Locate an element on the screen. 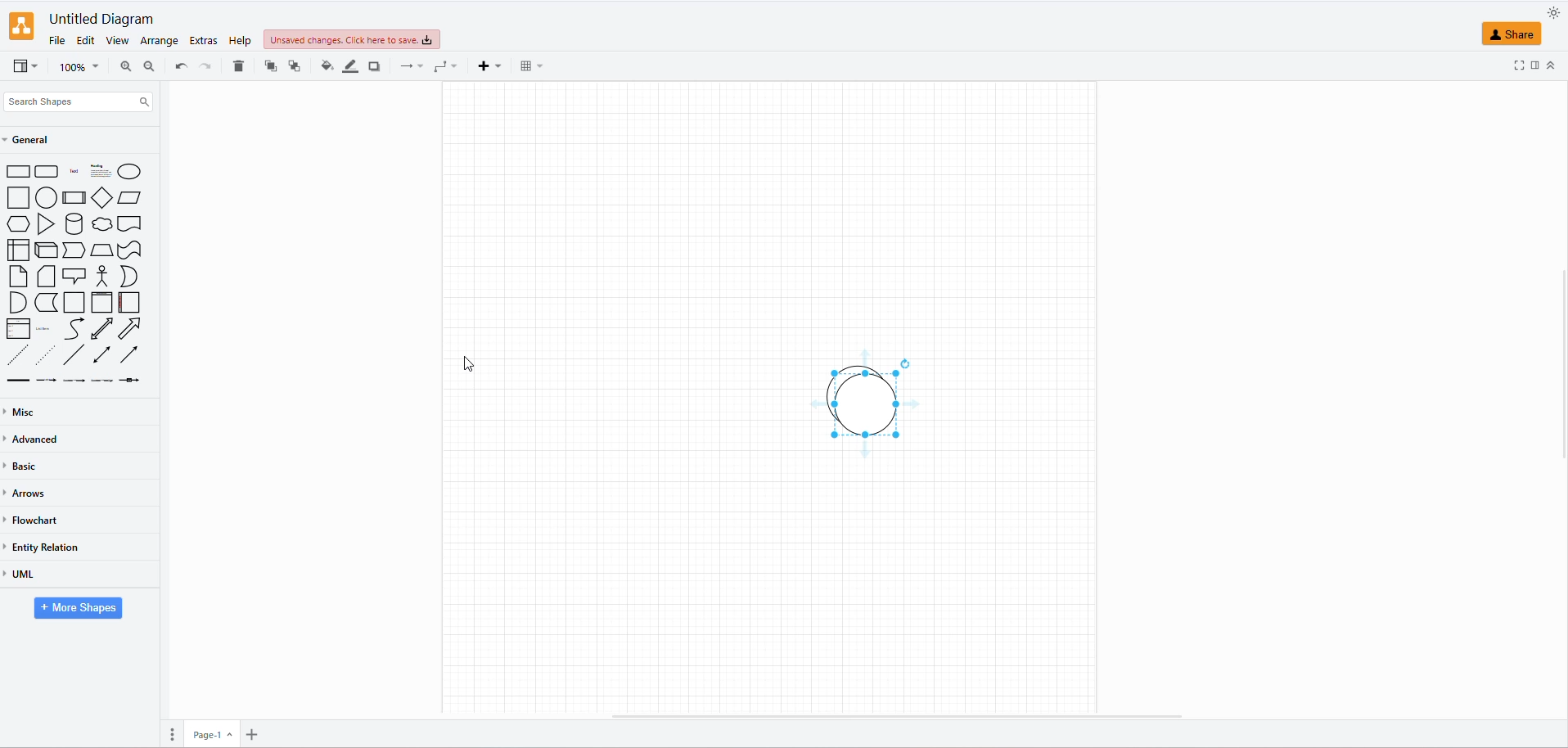  DIAMOND is located at coordinates (100, 198).